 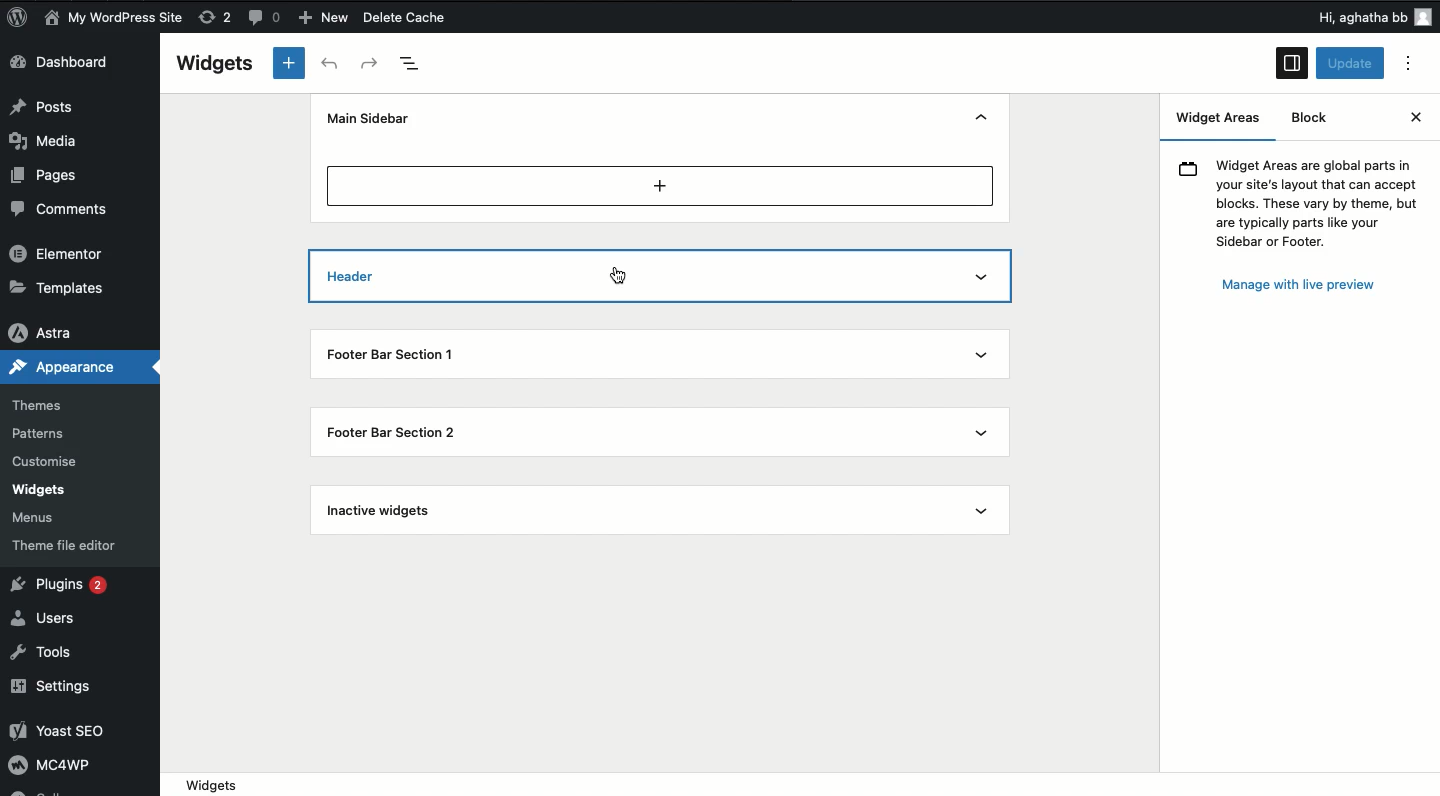 What do you see at coordinates (44, 515) in the screenshot?
I see `Menus` at bounding box center [44, 515].